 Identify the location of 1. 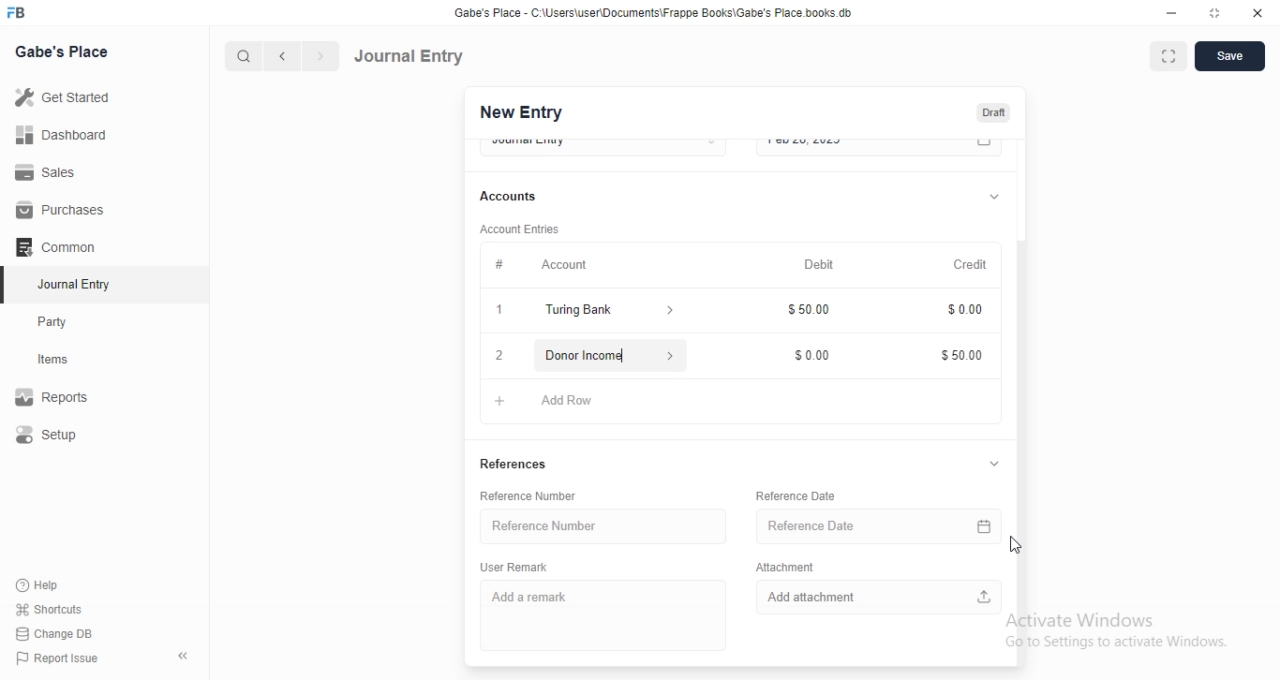
(502, 312).